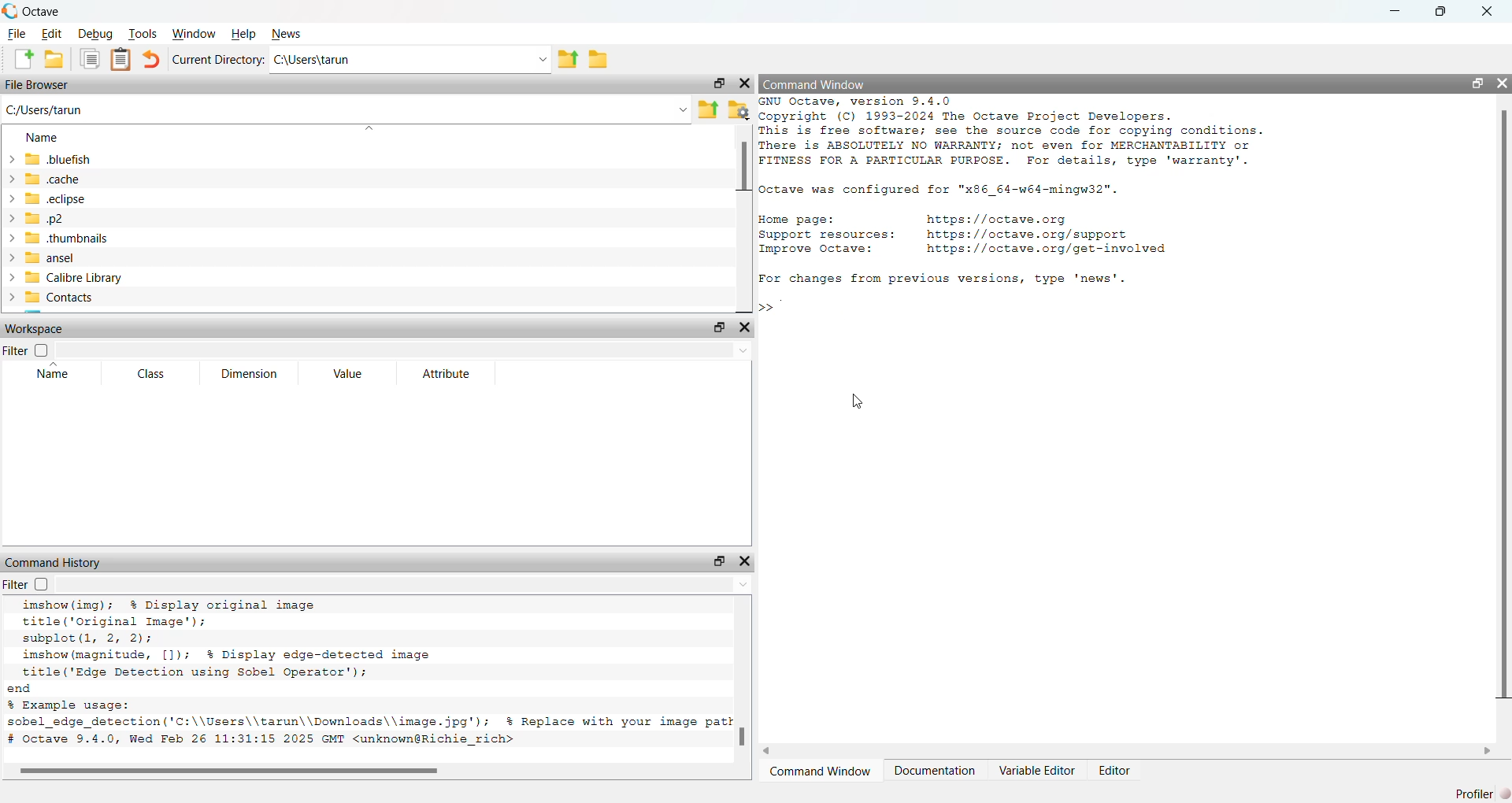  Describe the element at coordinates (39, 85) in the screenshot. I see `File Browser` at that location.